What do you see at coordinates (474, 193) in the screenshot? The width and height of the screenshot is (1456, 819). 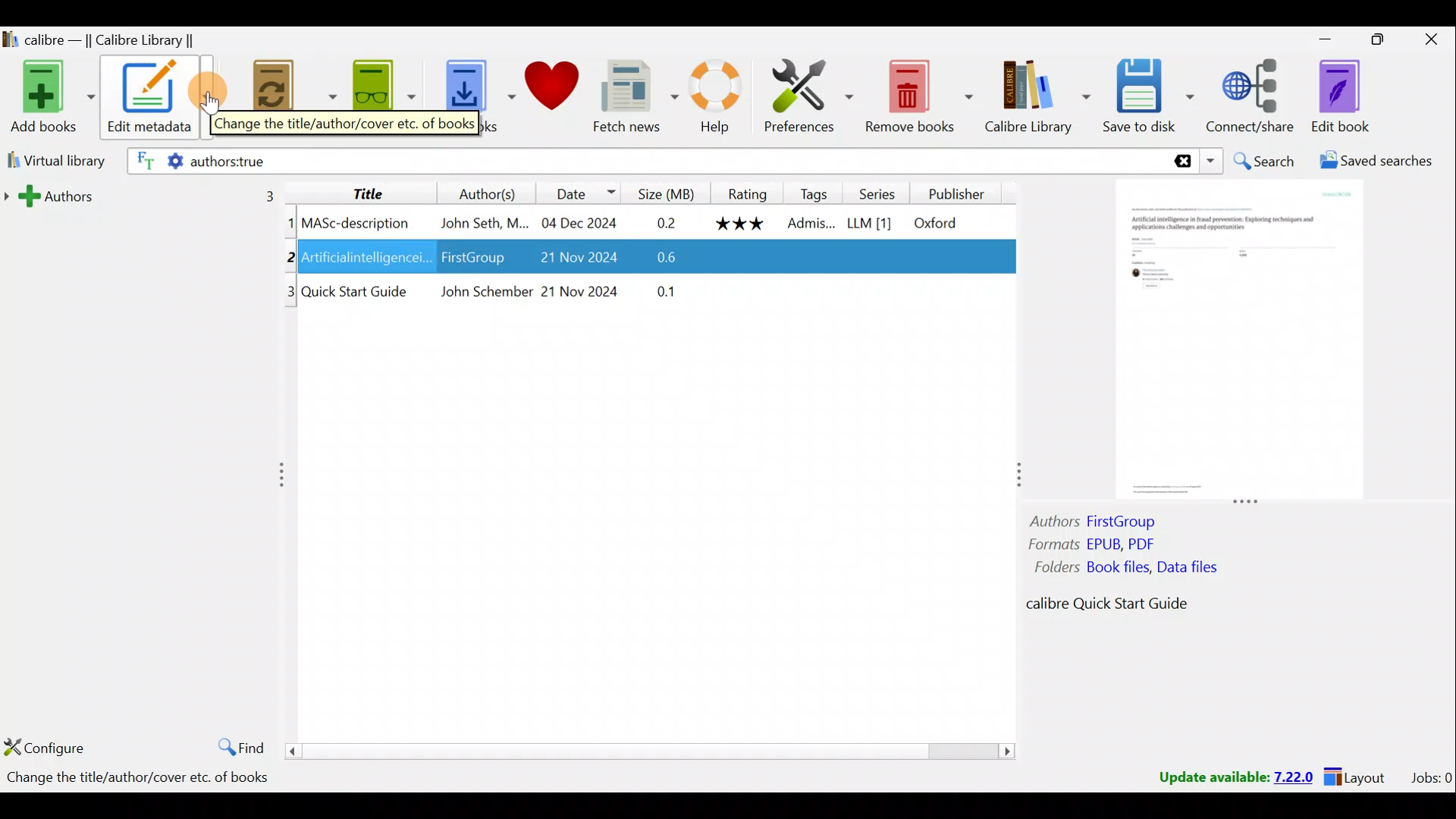 I see `Authors` at bounding box center [474, 193].